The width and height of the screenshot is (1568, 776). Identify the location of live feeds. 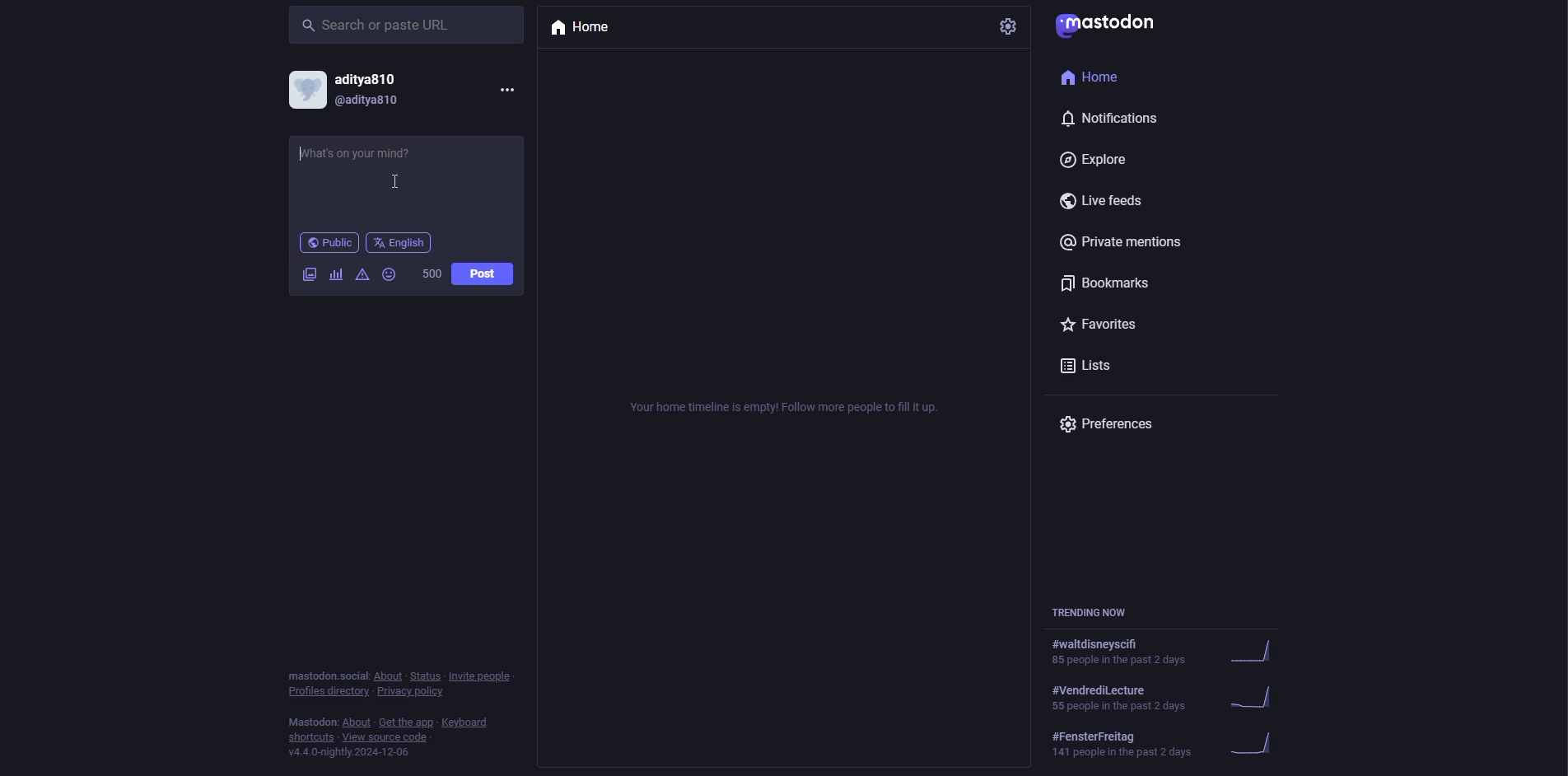
(1110, 203).